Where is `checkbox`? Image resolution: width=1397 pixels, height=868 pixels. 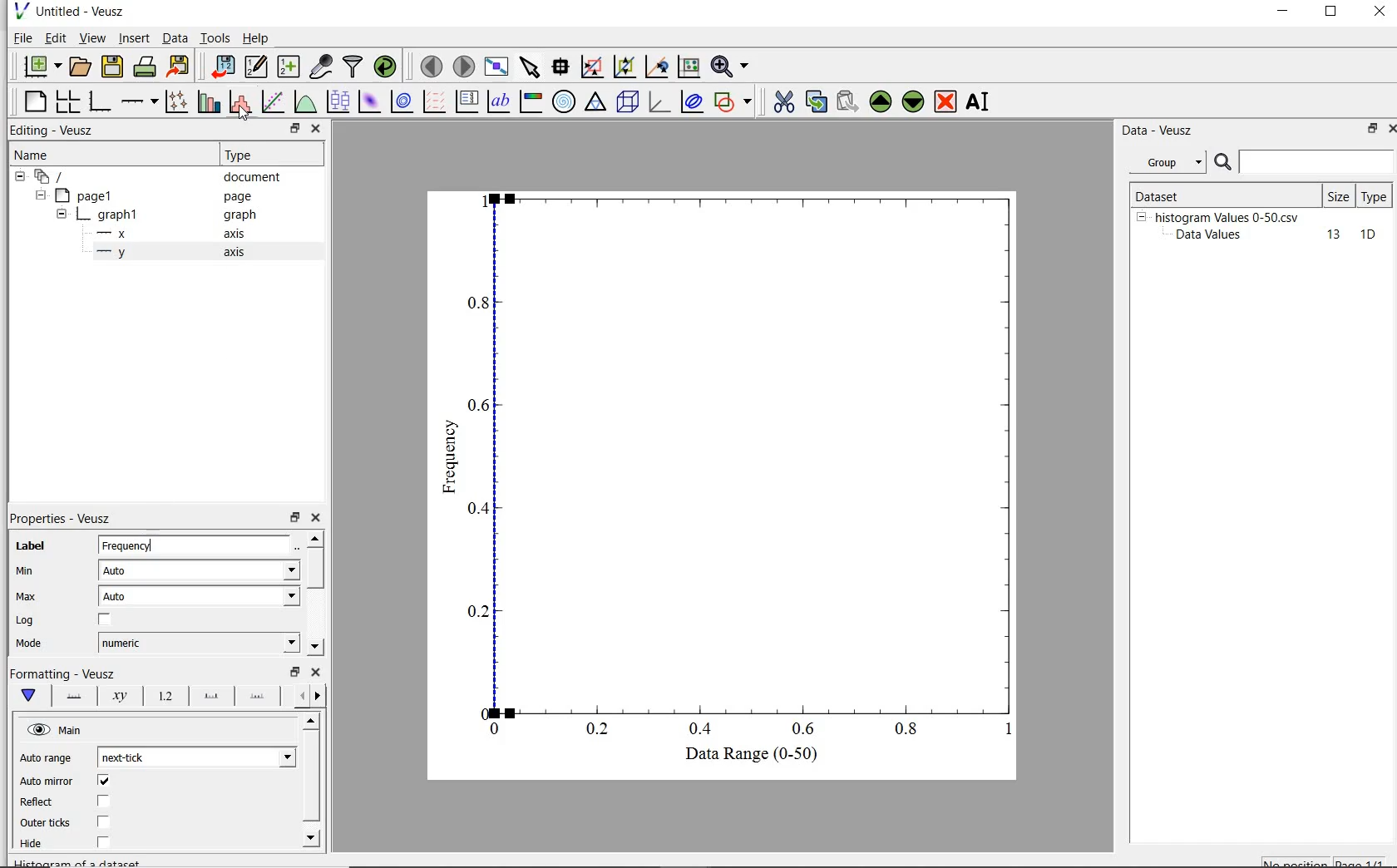
checkbox is located at coordinates (104, 822).